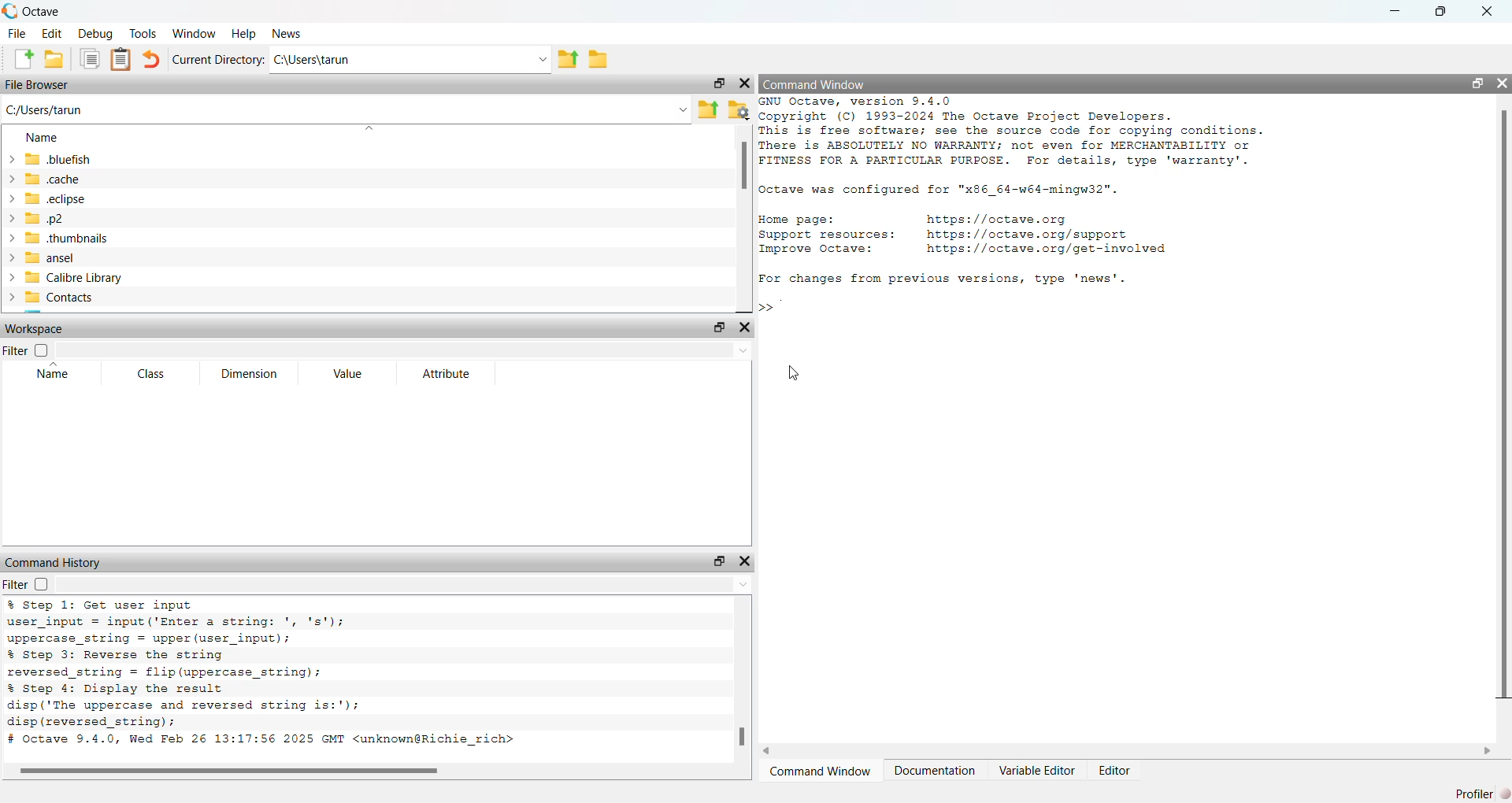  Describe the element at coordinates (249, 375) in the screenshot. I see `dimension` at that location.